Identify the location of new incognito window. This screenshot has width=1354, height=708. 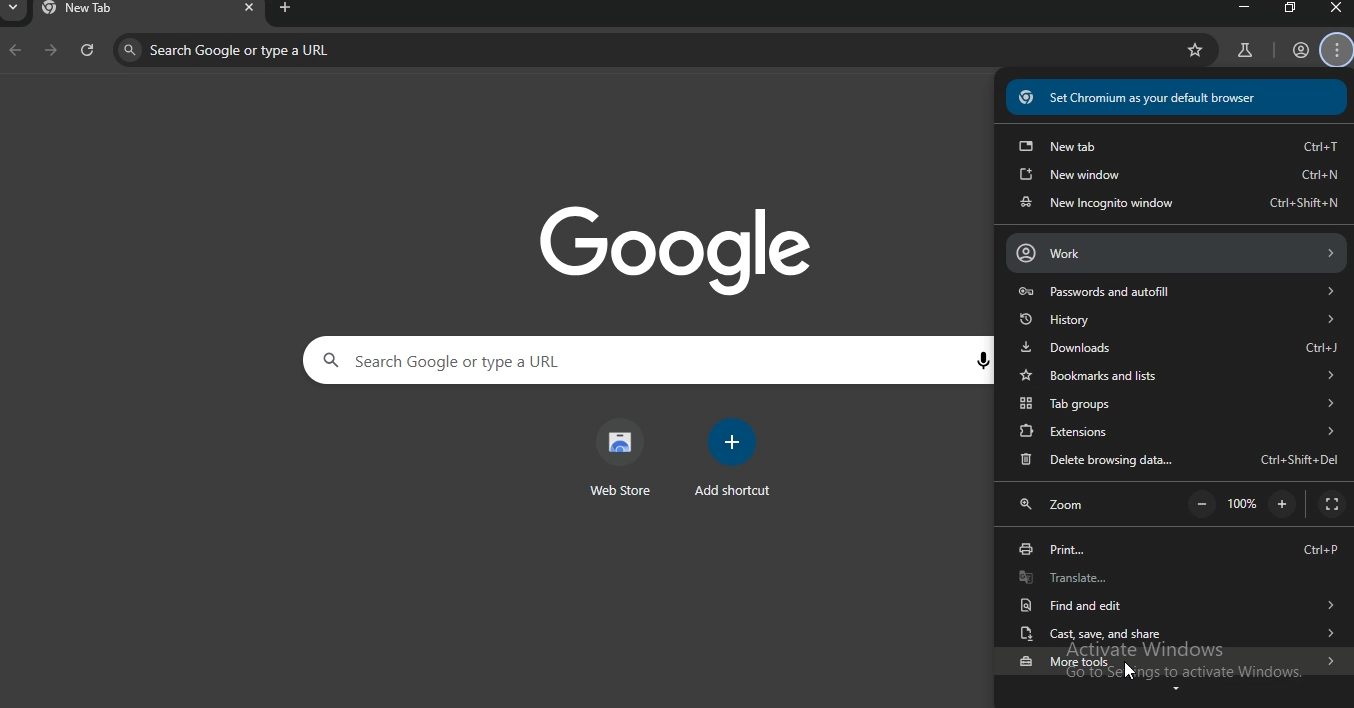
(1177, 203).